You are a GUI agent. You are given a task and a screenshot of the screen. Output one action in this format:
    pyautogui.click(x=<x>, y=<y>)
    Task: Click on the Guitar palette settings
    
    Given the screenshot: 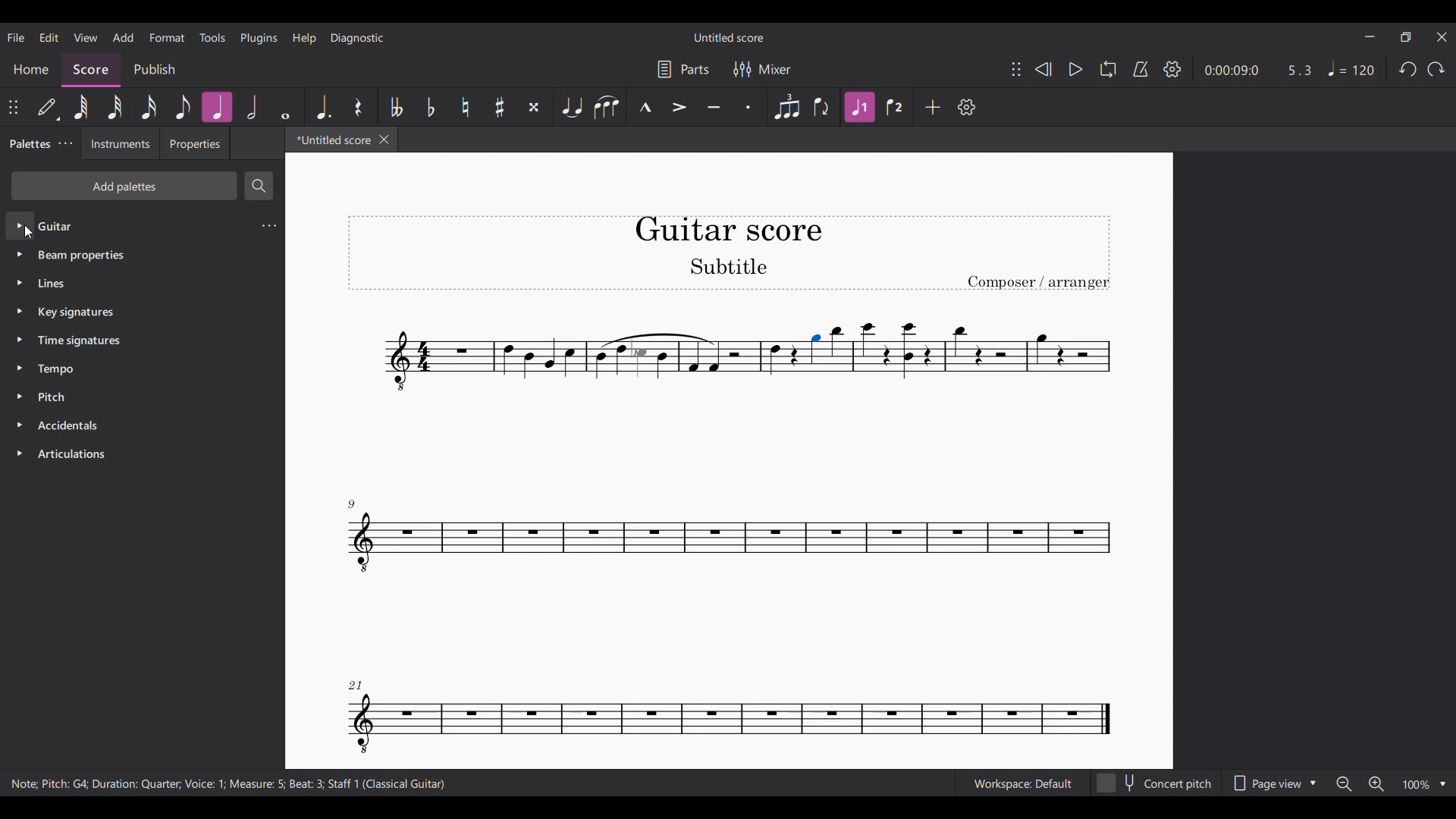 What is the action you would take?
    pyautogui.click(x=269, y=225)
    